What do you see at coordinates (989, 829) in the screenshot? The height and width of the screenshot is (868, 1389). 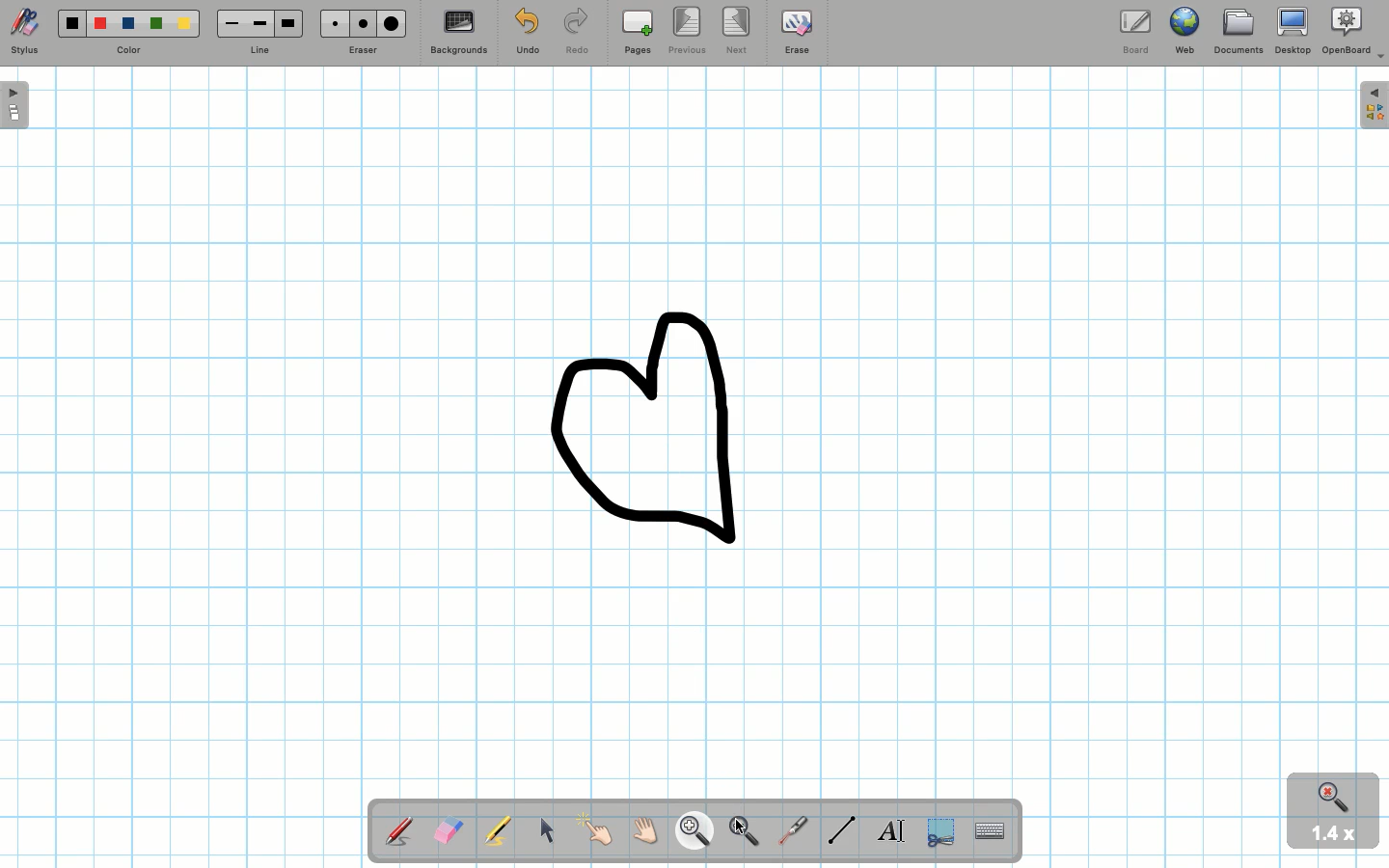 I see `TextInput` at bounding box center [989, 829].